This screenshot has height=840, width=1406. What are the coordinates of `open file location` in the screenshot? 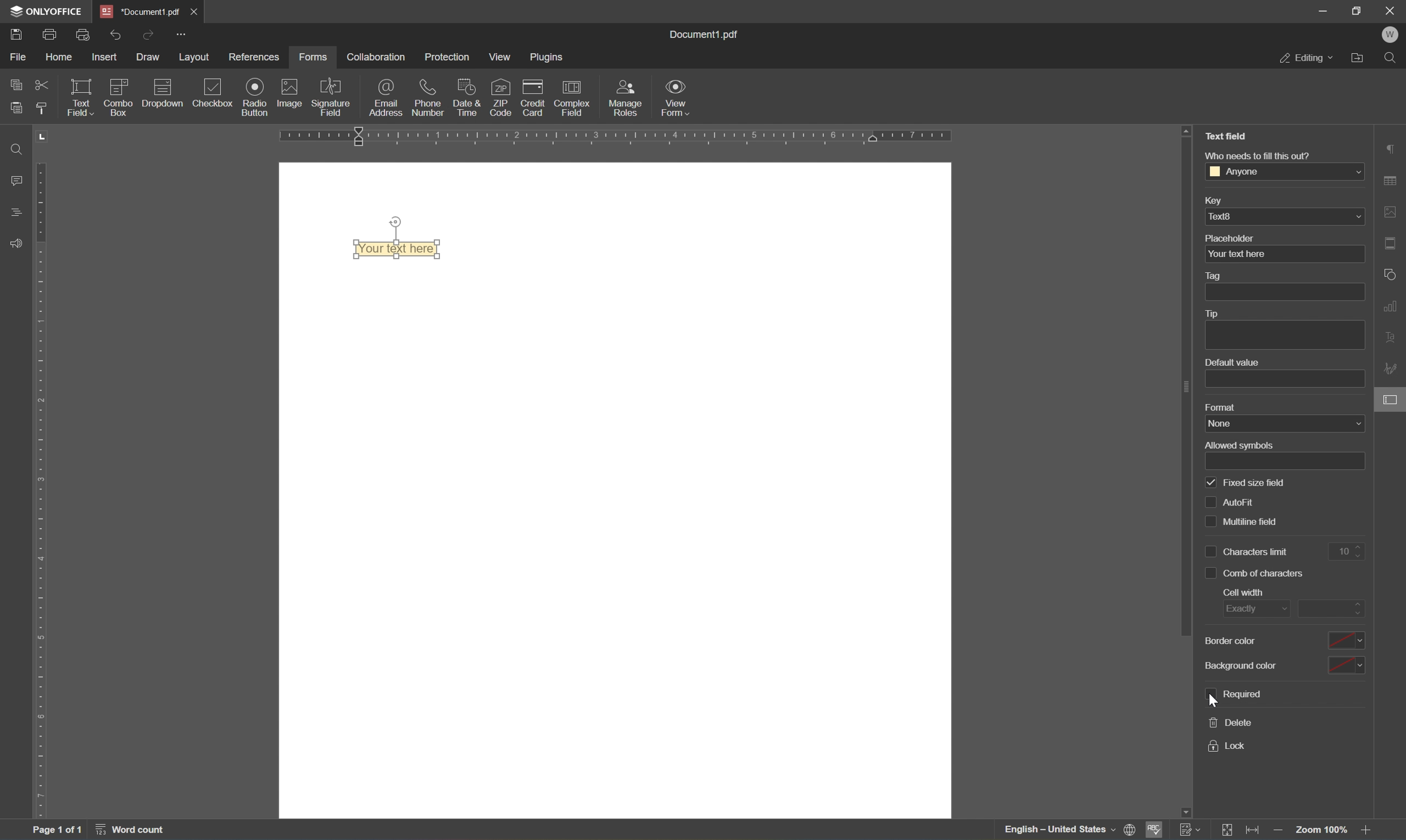 It's located at (1359, 59).